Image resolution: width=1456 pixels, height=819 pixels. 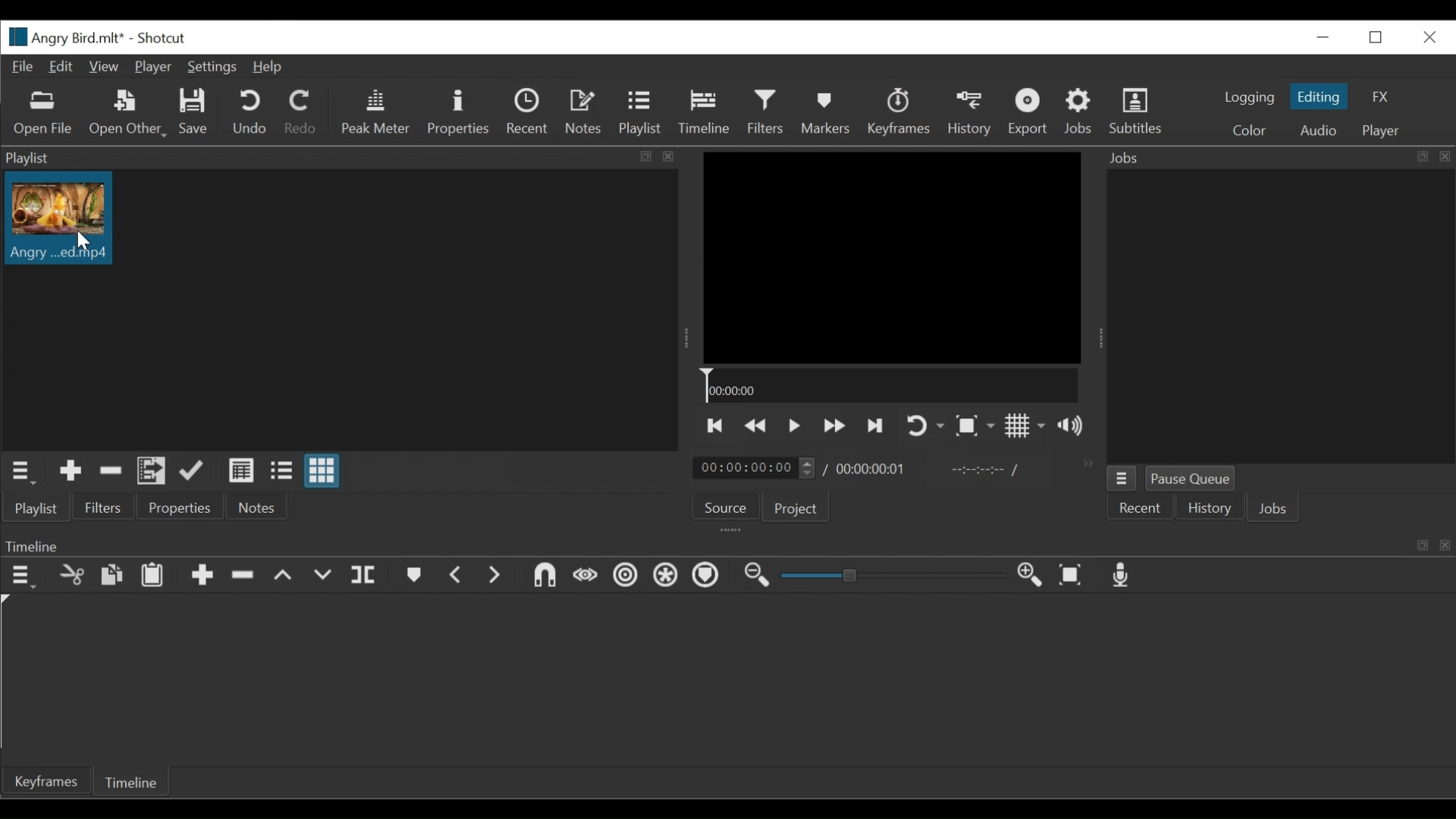 What do you see at coordinates (368, 575) in the screenshot?
I see `Split at playhead` at bounding box center [368, 575].